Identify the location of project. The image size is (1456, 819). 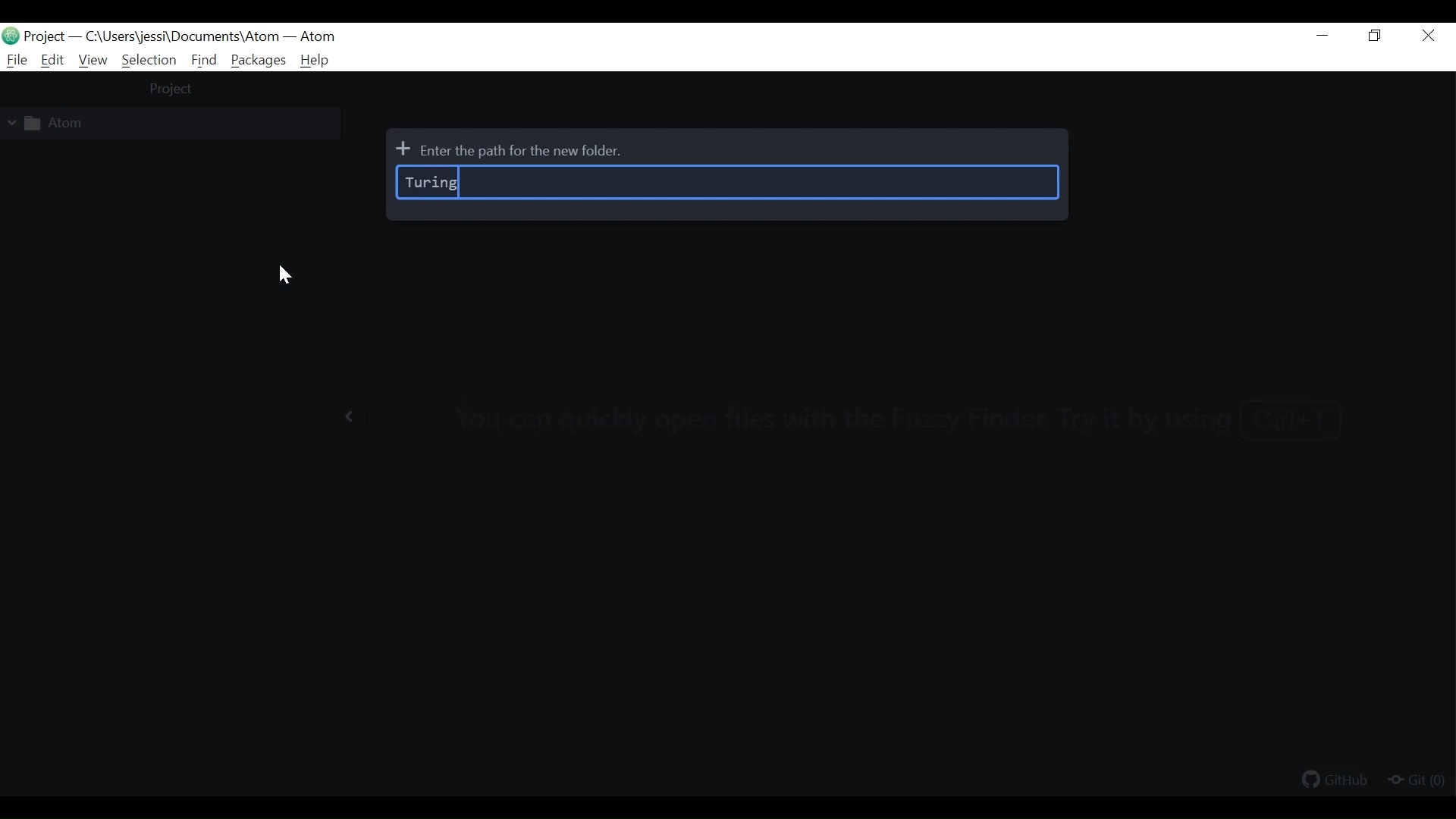
(172, 90).